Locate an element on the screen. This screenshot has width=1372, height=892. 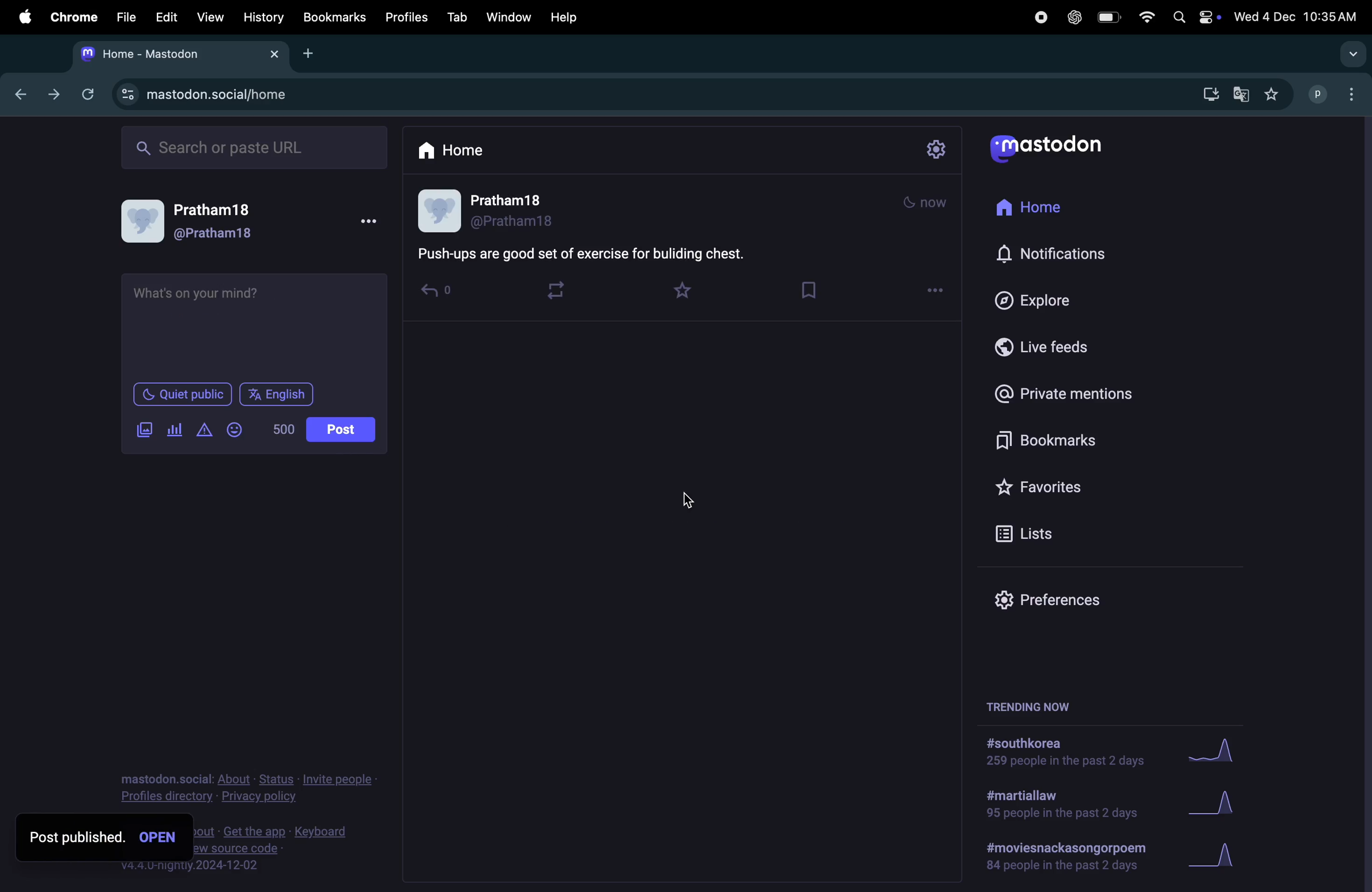
add images is located at coordinates (148, 430).